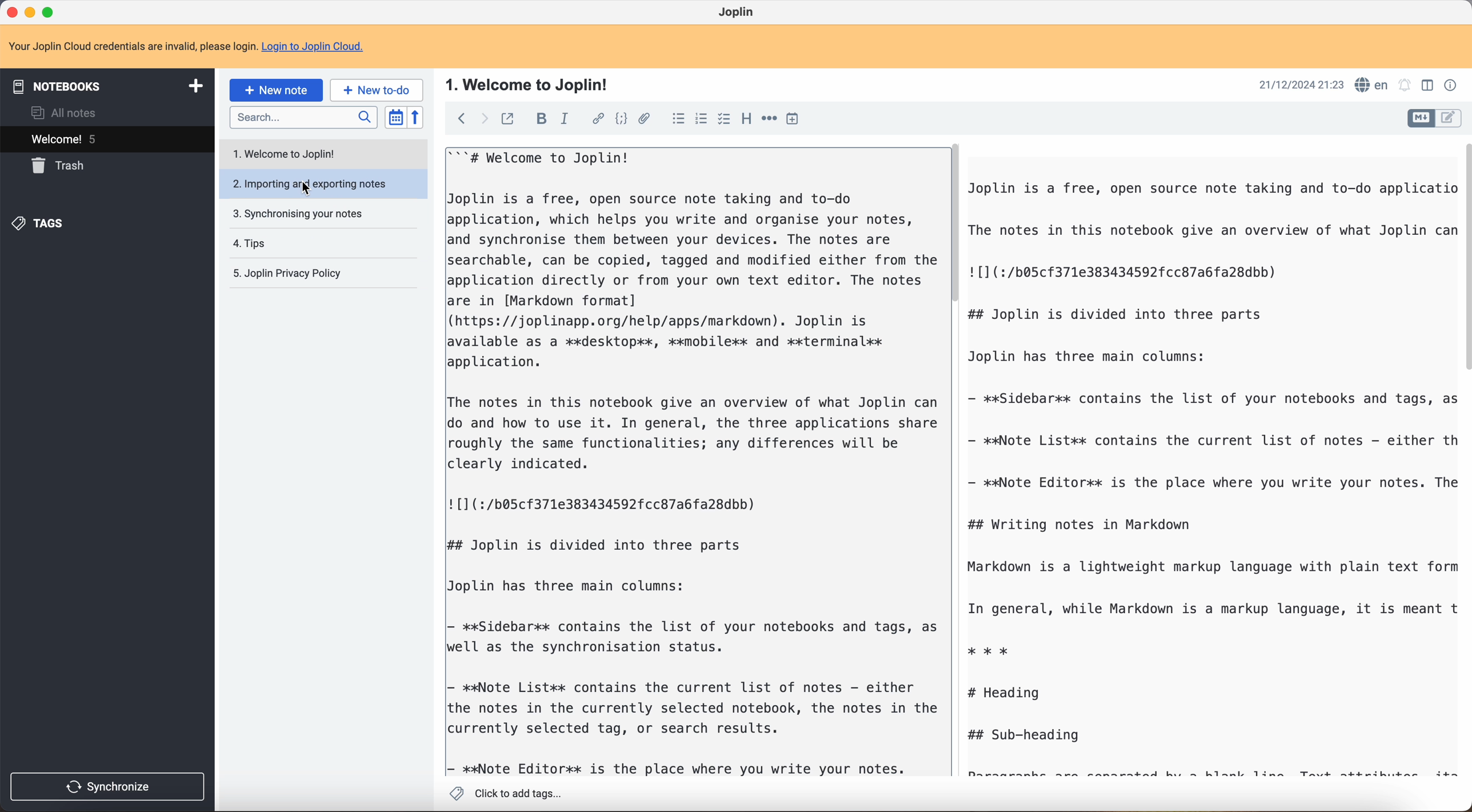 This screenshot has width=1472, height=812. Describe the element at coordinates (508, 118) in the screenshot. I see `toggle external editing` at that location.